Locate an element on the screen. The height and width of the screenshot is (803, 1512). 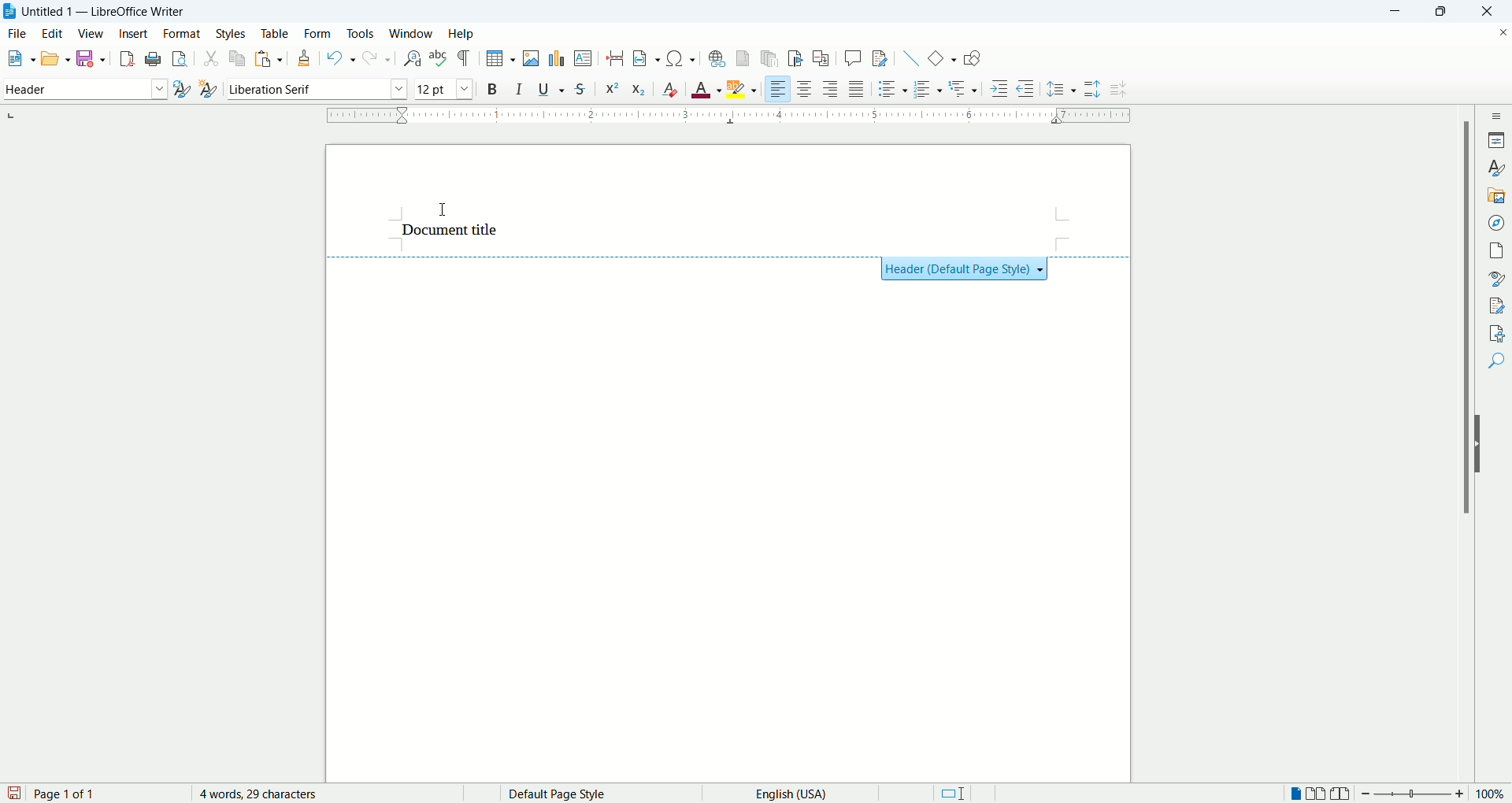
increase paragraph spacing is located at coordinates (1094, 89).